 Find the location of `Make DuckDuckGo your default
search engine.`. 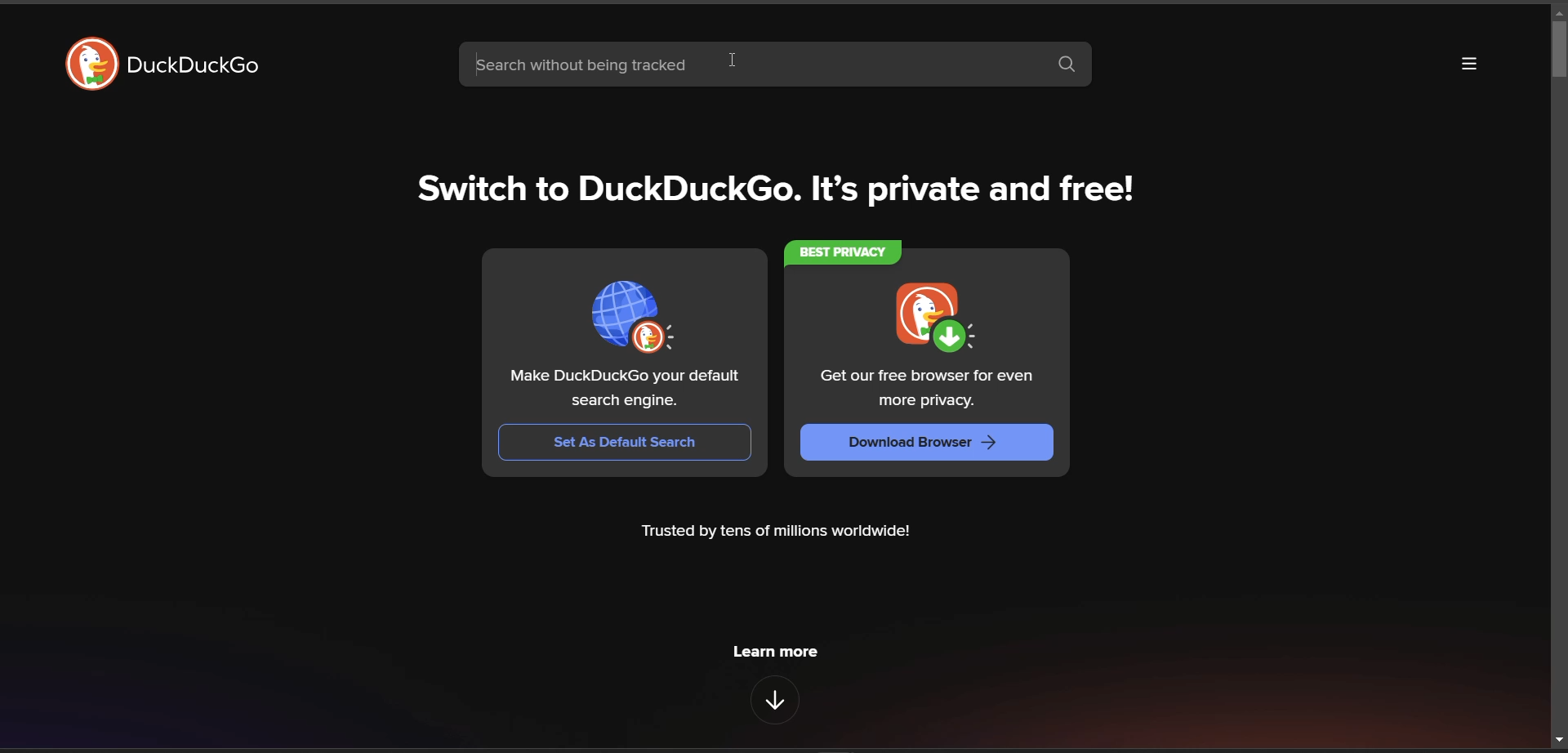

Make DuckDuckGo your default
search engine. is located at coordinates (626, 390).